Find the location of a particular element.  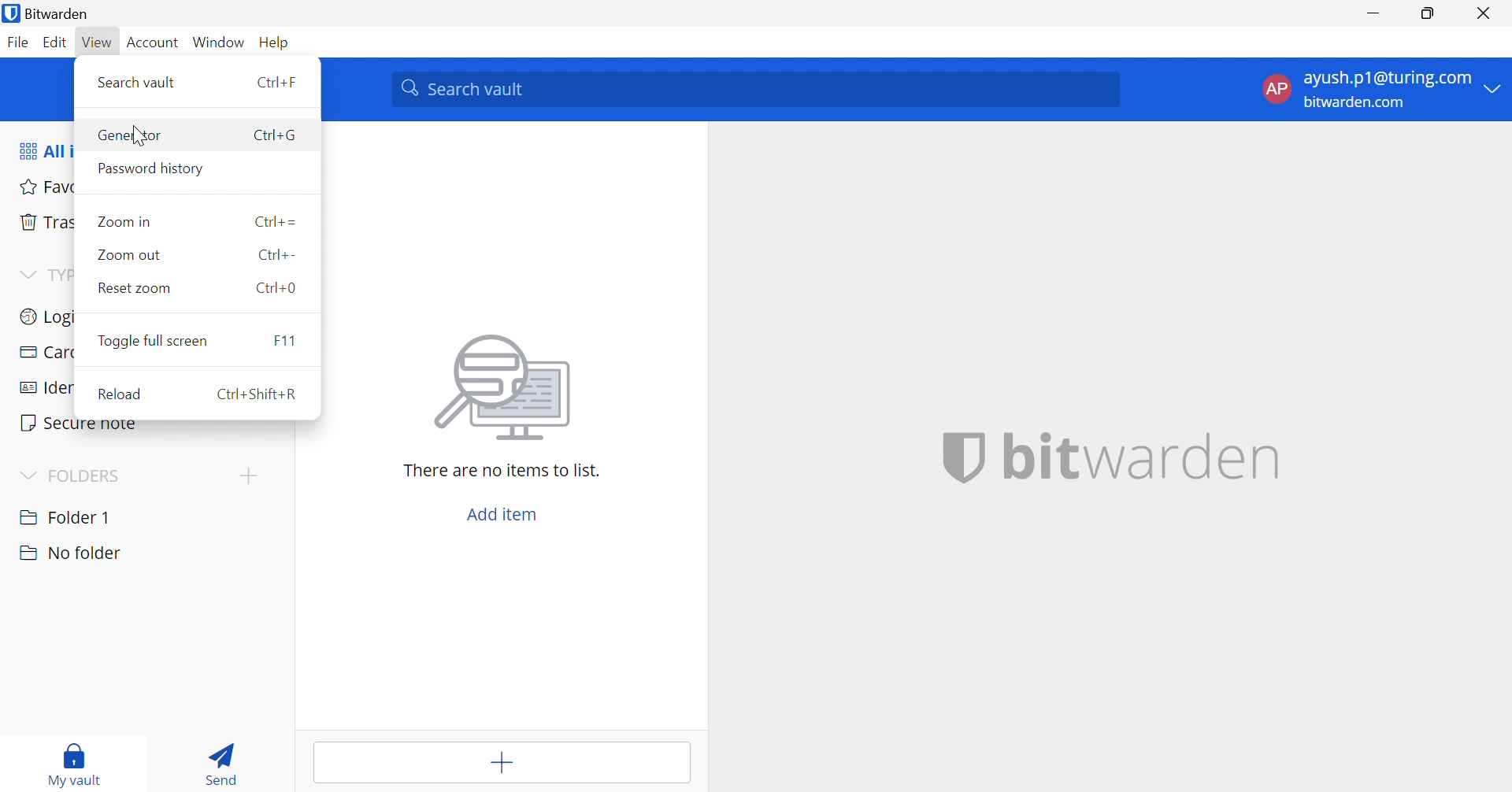

Ctrl+Shift+R is located at coordinates (261, 394).